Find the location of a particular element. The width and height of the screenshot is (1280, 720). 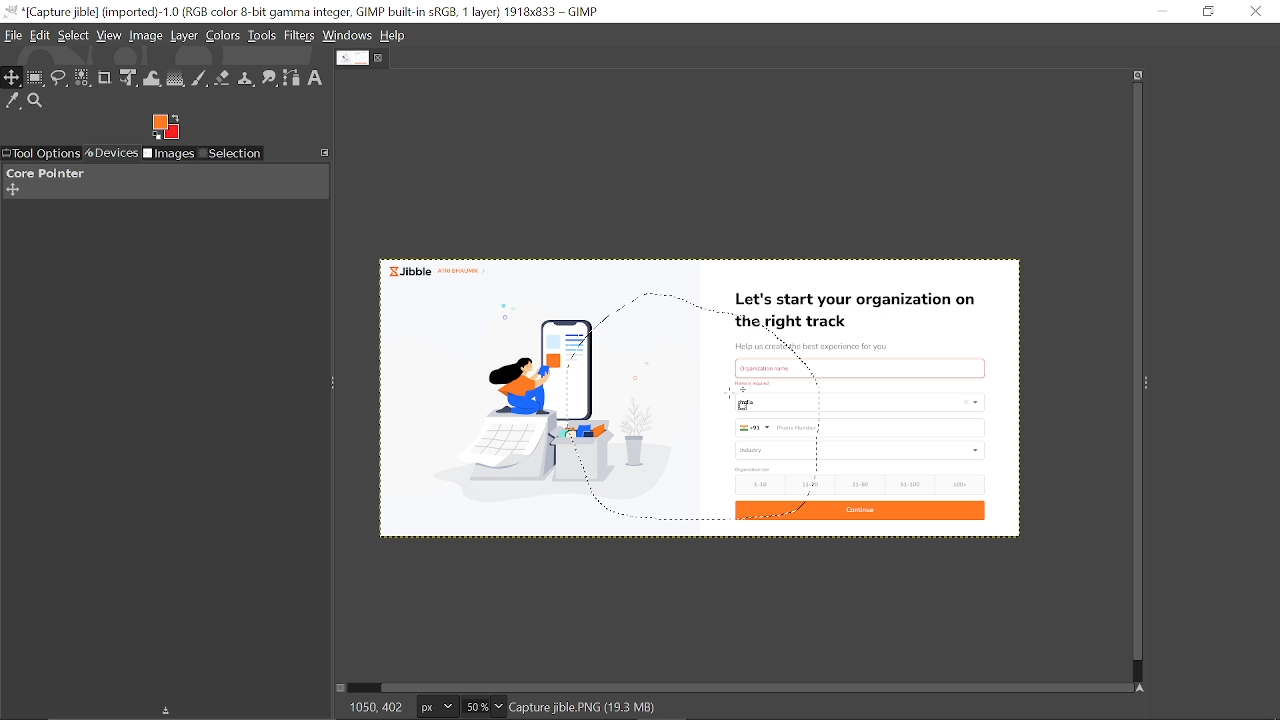

Filters is located at coordinates (300, 36).